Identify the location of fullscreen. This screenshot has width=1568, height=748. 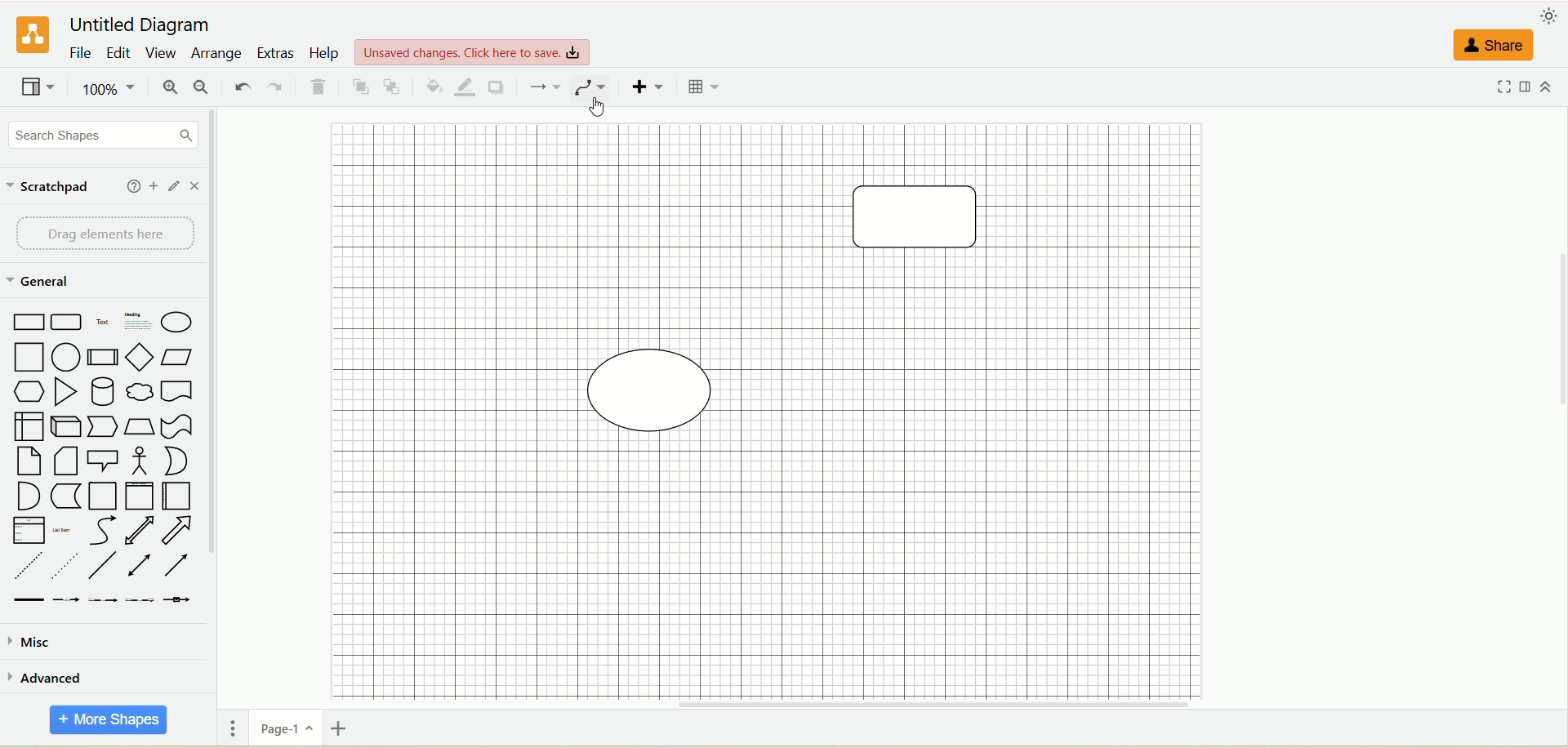
(1501, 87).